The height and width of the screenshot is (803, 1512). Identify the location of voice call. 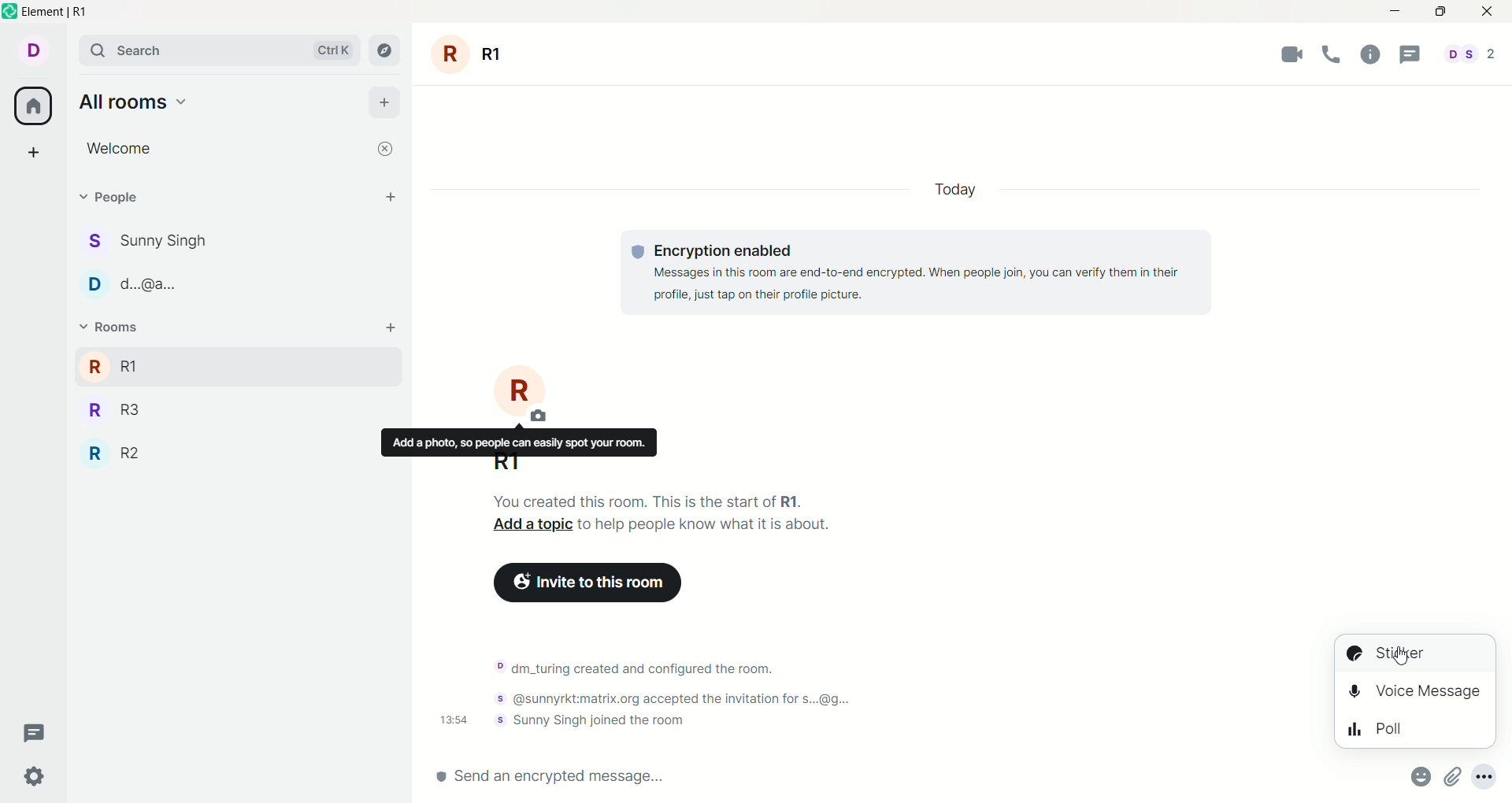
(1332, 54).